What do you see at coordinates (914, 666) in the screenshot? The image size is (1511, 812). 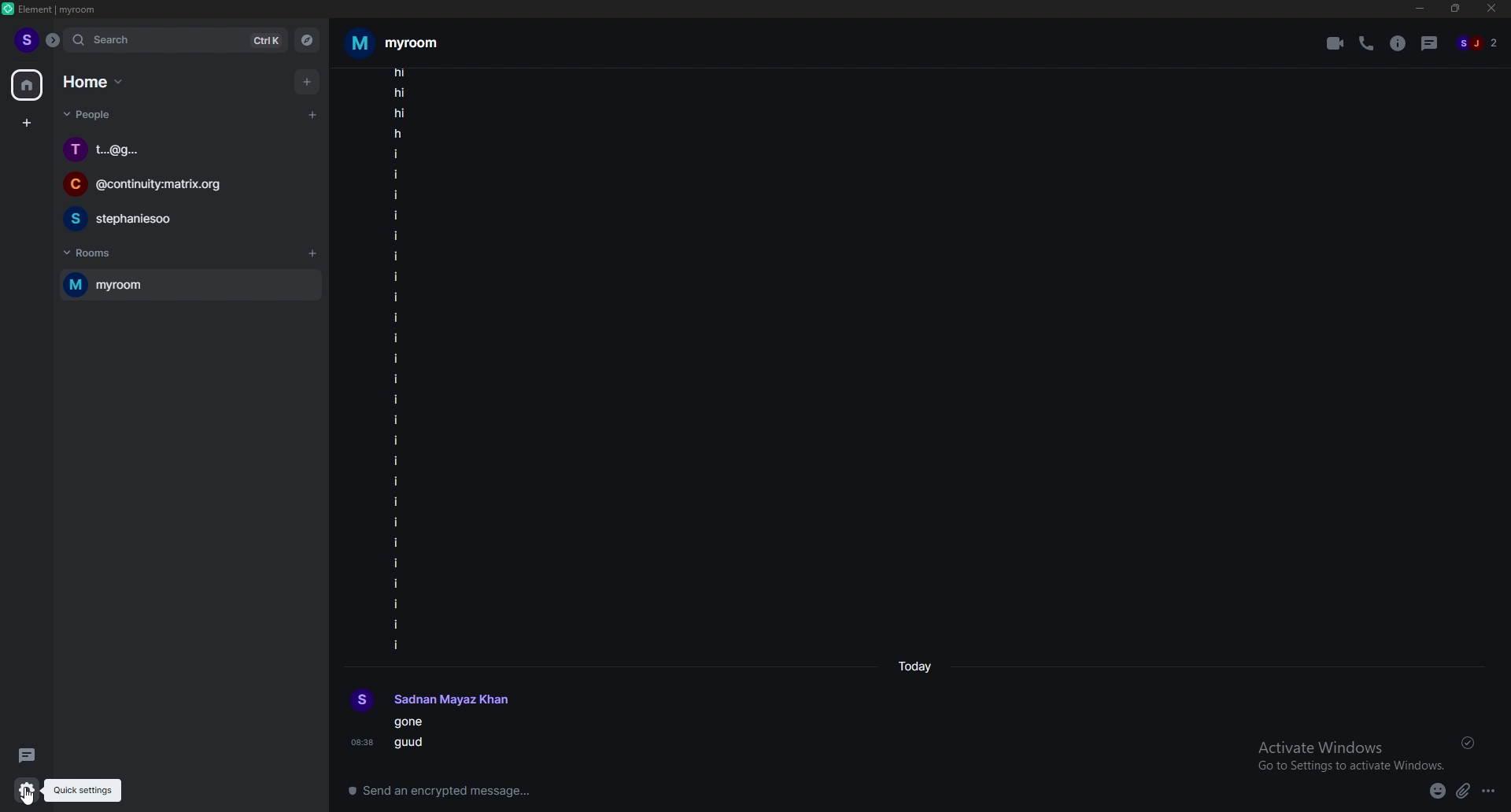 I see `time` at bounding box center [914, 666].